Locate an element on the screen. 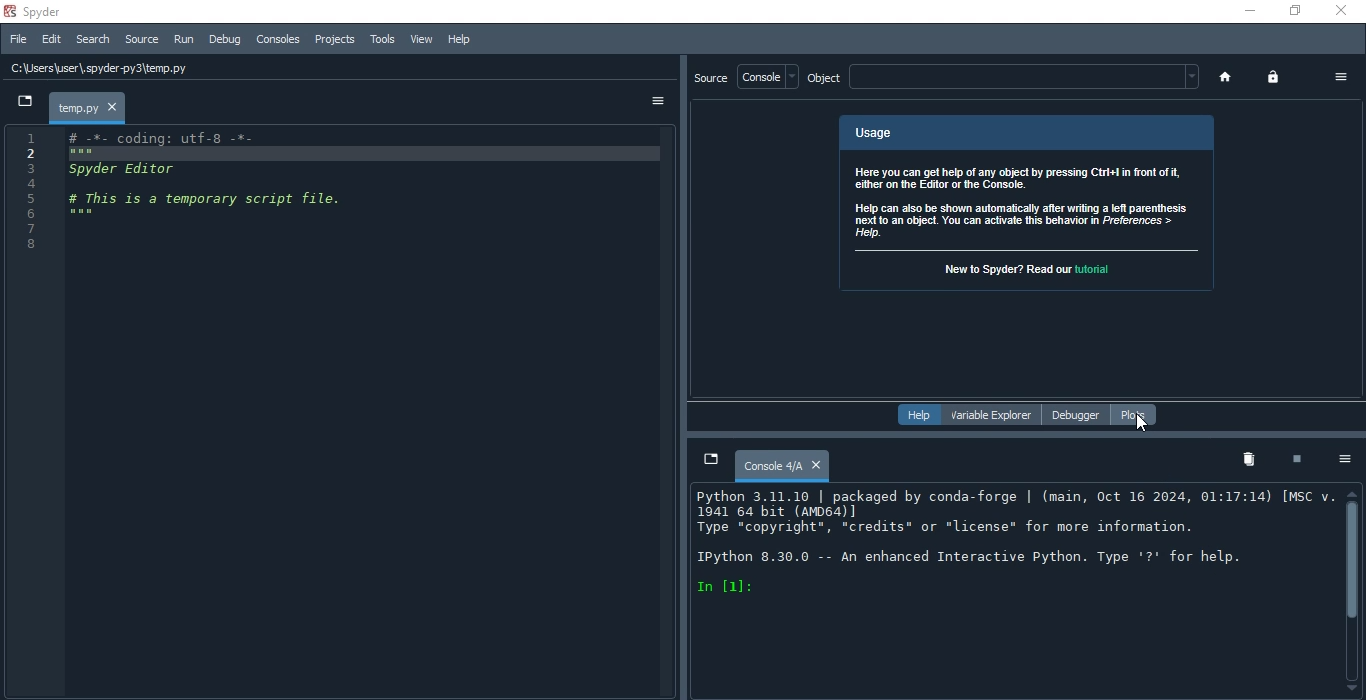 This screenshot has height=700, width=1366. minimise is located at coordinates (1248, 11).